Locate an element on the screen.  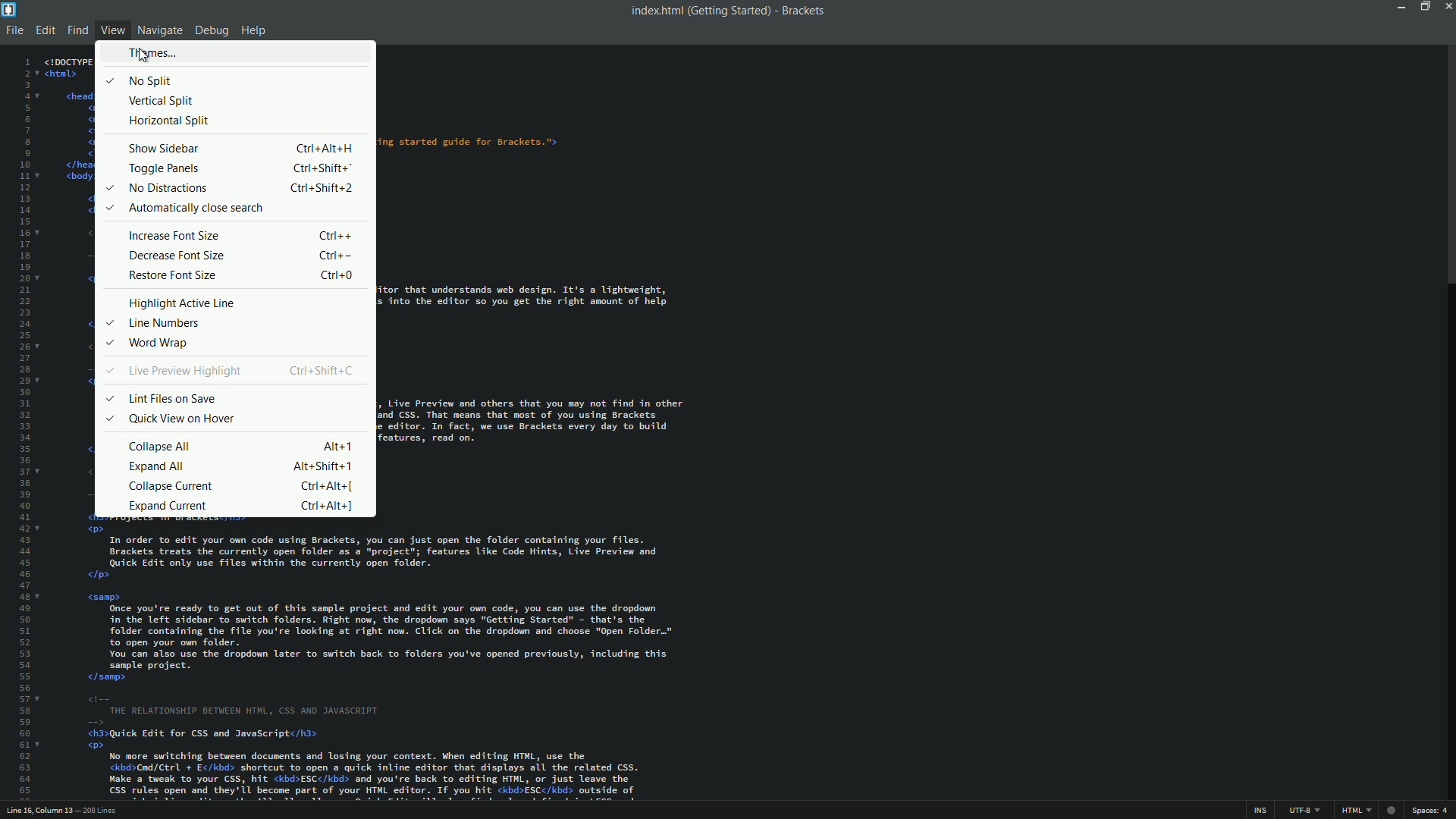
horizontal split is located at coordinates (169, 121).